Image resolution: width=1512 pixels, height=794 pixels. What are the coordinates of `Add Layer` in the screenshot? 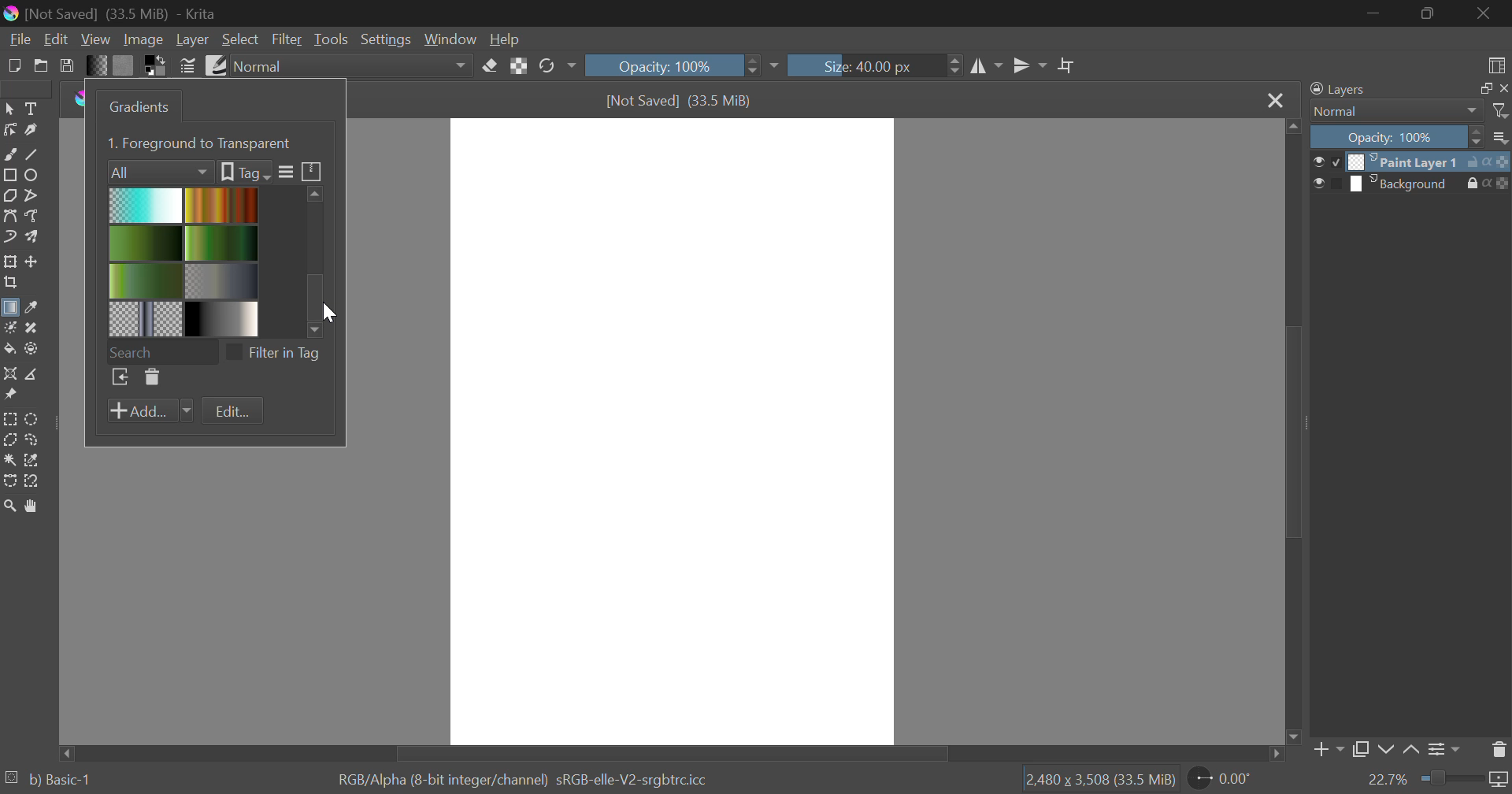 It's located at (1327, 753).